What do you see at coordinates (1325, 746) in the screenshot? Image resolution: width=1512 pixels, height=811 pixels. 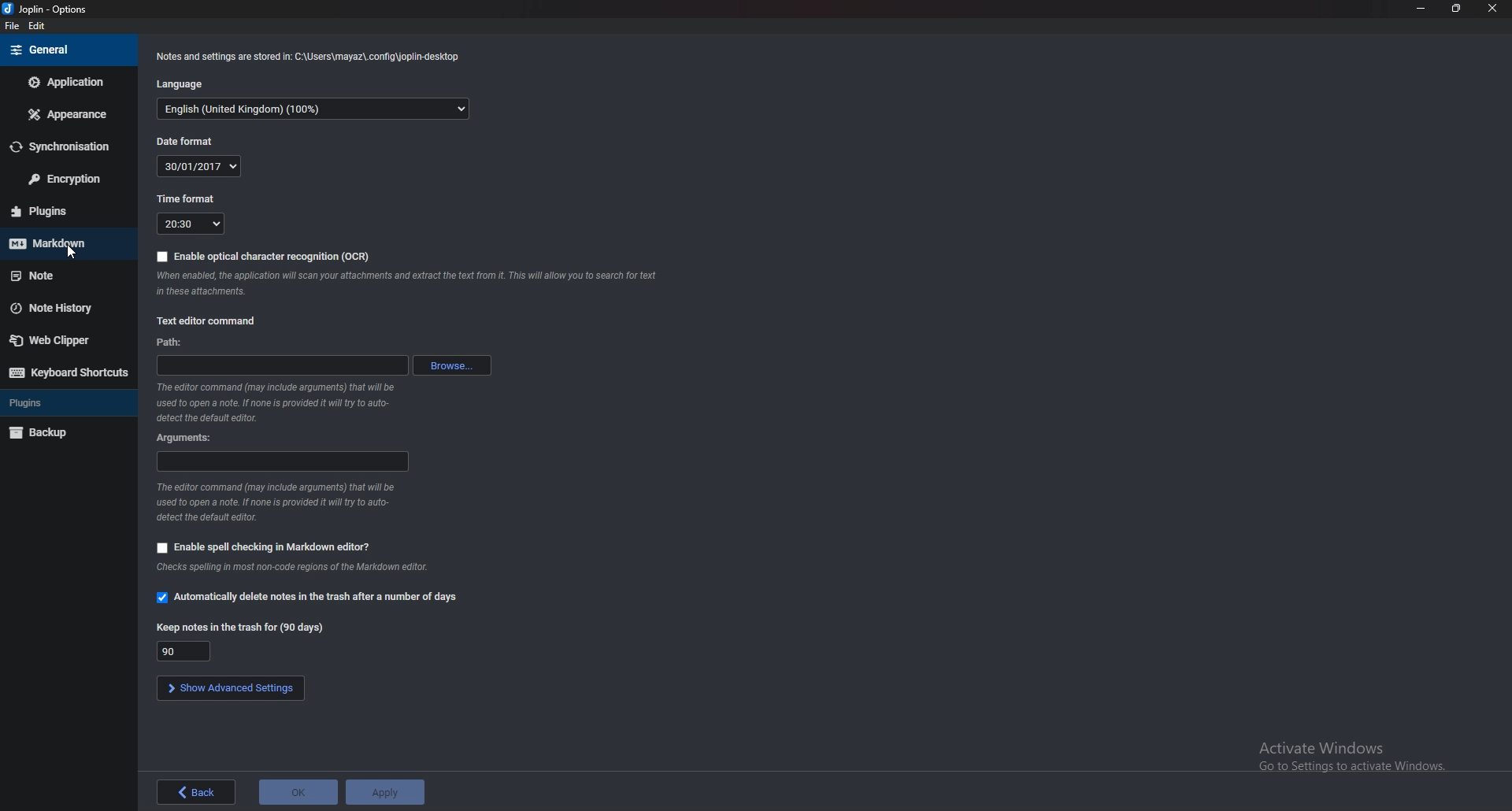 I see `Activate Windows` at bounding box center [1325, 746].